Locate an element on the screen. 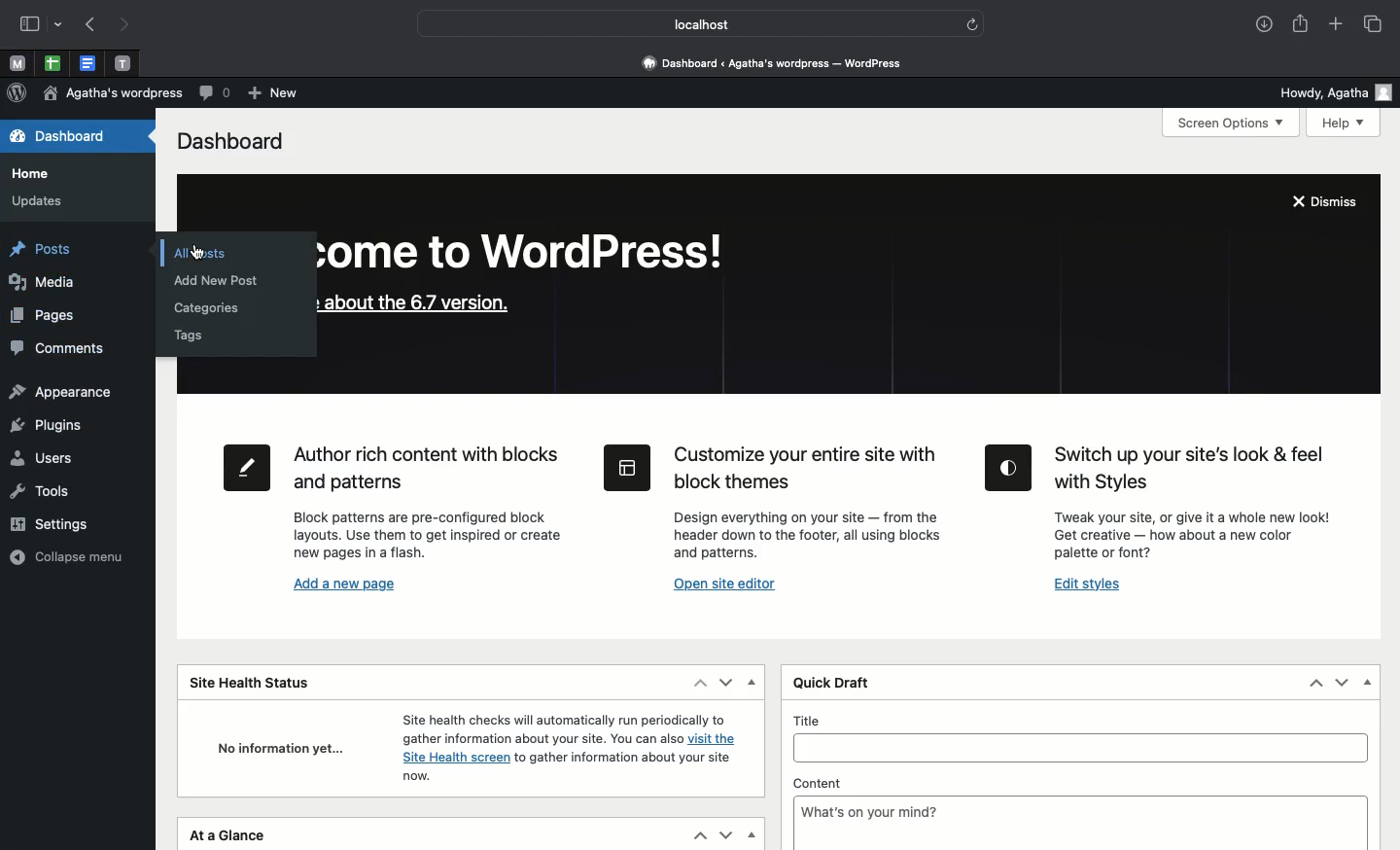 The height and width of the screenshot is (850, 1400). Author rich content with blocks and patterns Block patterns are pre-configured block layouts. Use them to get inspired or create new pages in a flash. is located at coordinates (391, 502).